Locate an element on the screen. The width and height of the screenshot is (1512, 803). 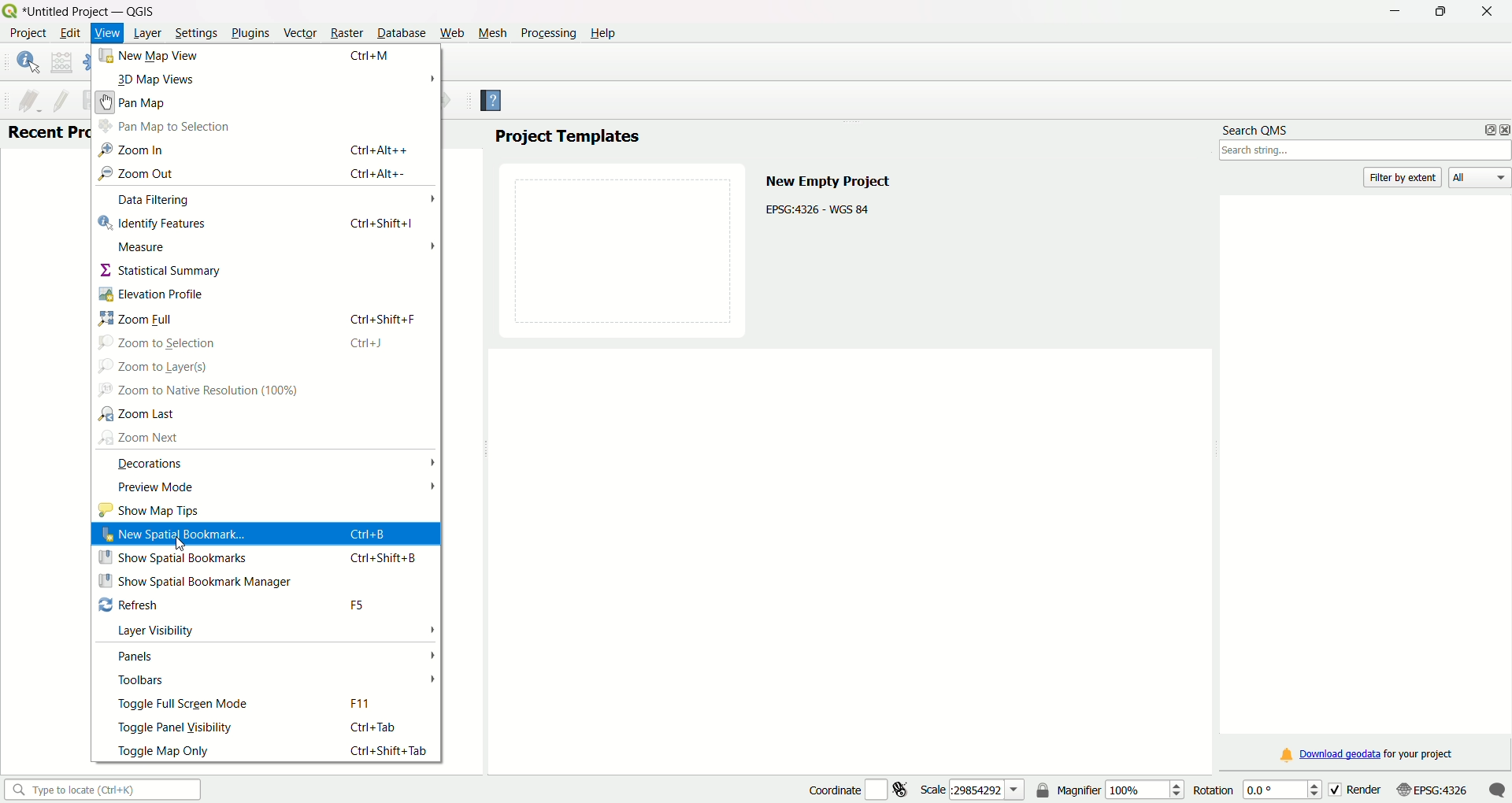
pan to map is located at coordinates (165, 127).